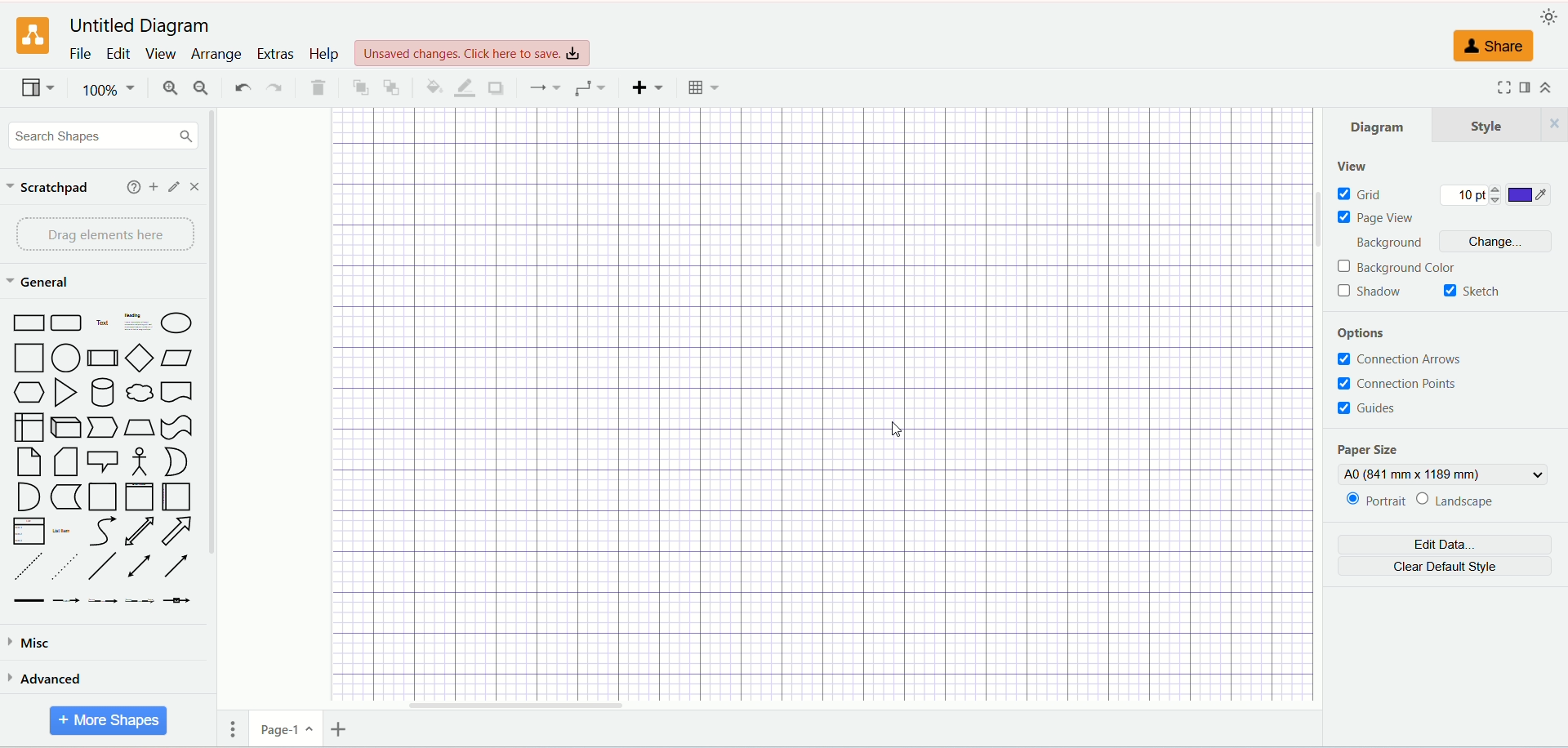 The height and width of the screenshot is (748, 1568). Describe the element at coordinates (544, 87) in the screenshot. I see `waypoint` at that location.